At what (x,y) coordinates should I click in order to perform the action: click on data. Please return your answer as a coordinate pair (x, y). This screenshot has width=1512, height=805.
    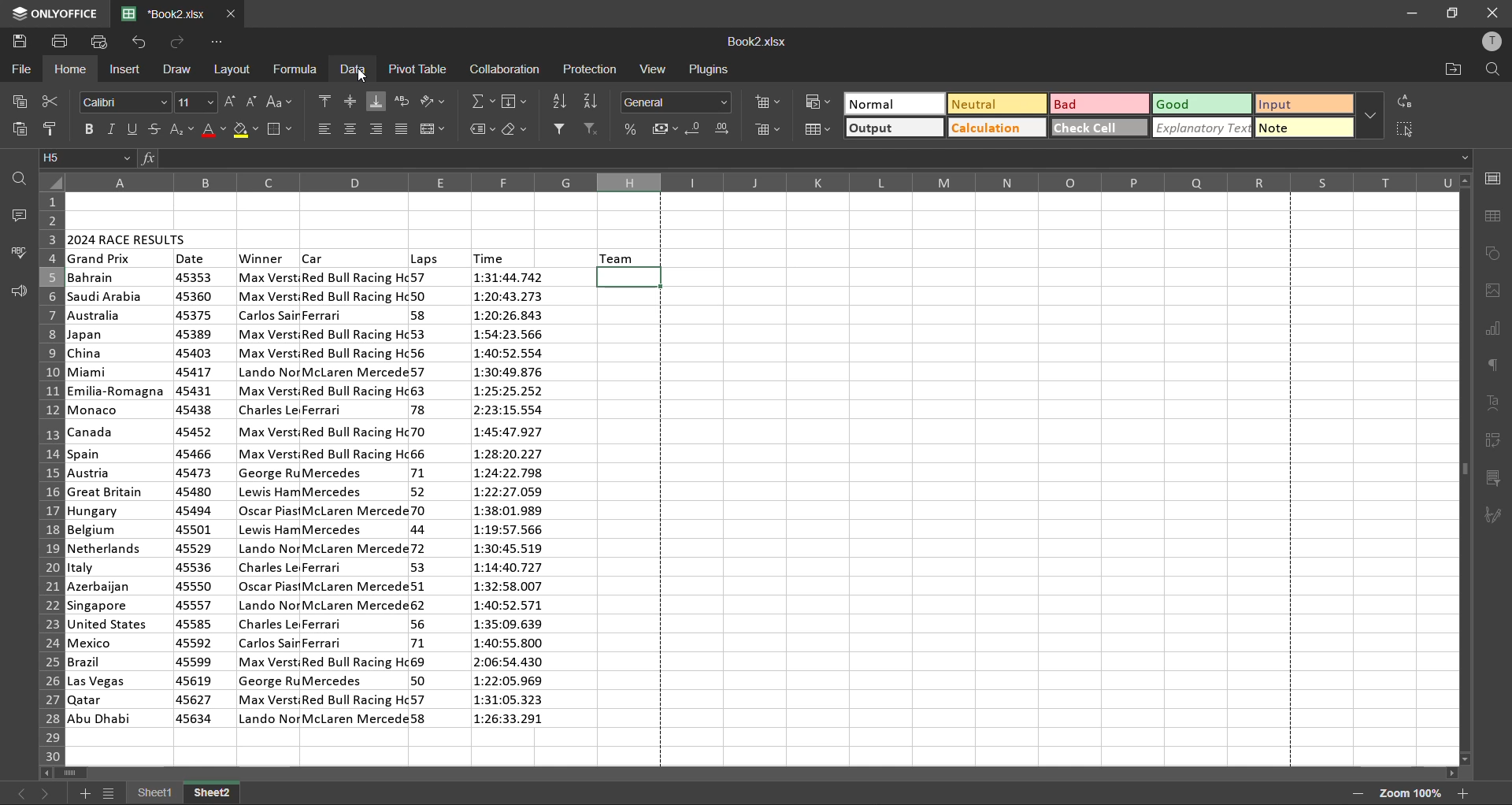
    Looking at the image, I should click on (352, 71).